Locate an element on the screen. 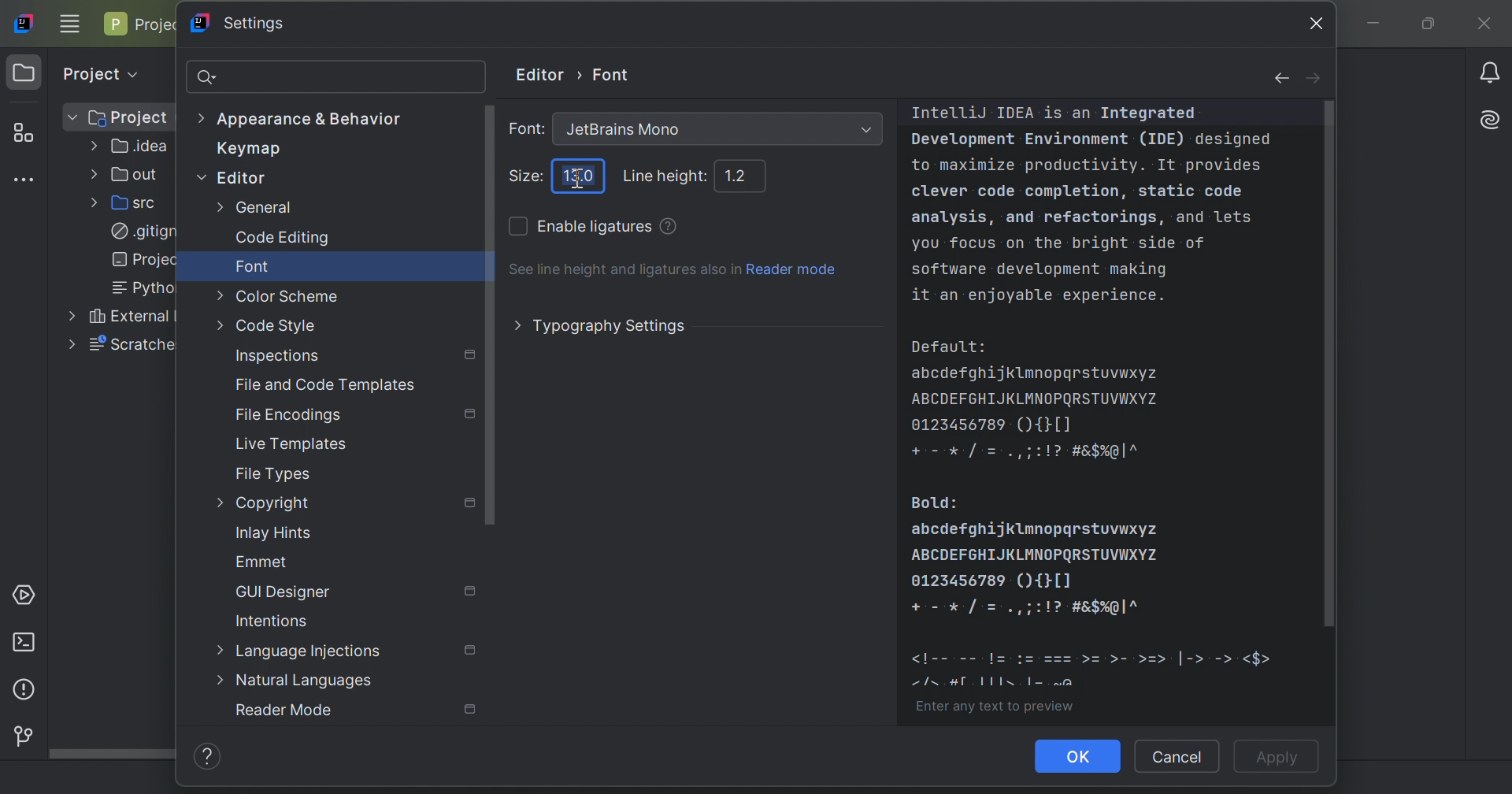 Image resolution: width=1512 pixels, height=794 pixels. clever code completion, static code is located at coordinates (1073, 190).